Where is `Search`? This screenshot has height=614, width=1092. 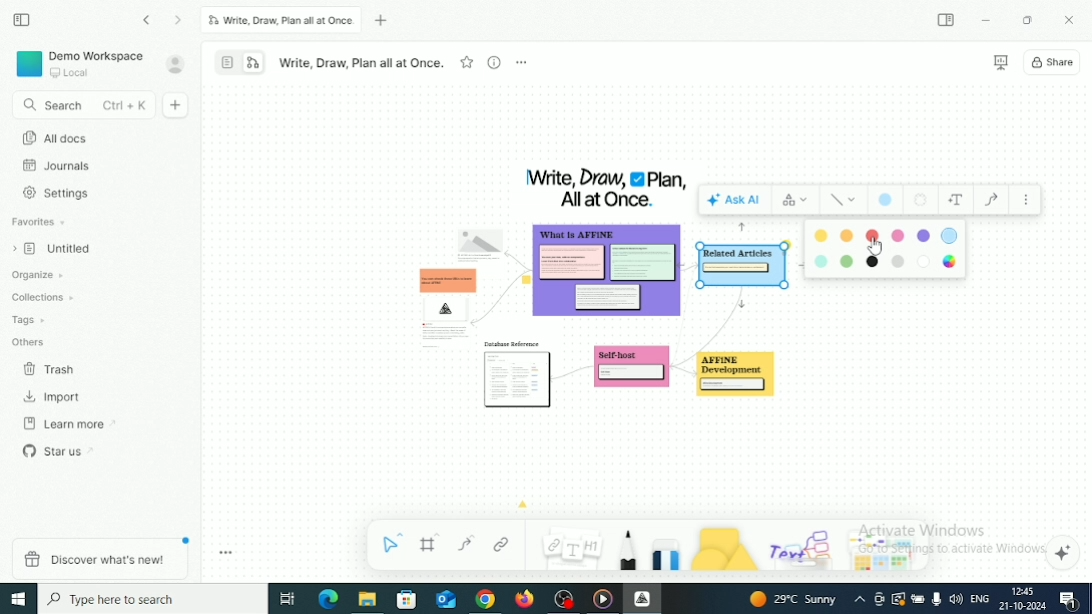 Search is located at coordinates (81, 106).